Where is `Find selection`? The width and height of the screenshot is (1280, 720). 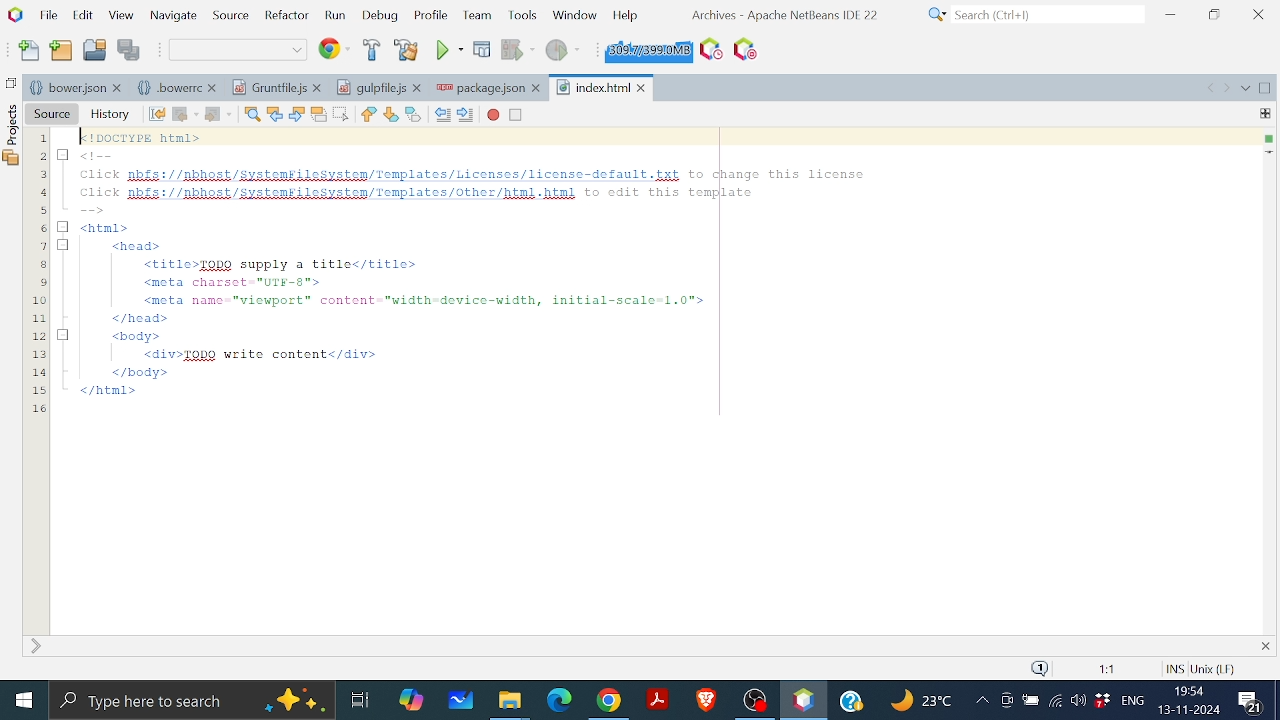 Find selection is located at coordinates (253, 114).